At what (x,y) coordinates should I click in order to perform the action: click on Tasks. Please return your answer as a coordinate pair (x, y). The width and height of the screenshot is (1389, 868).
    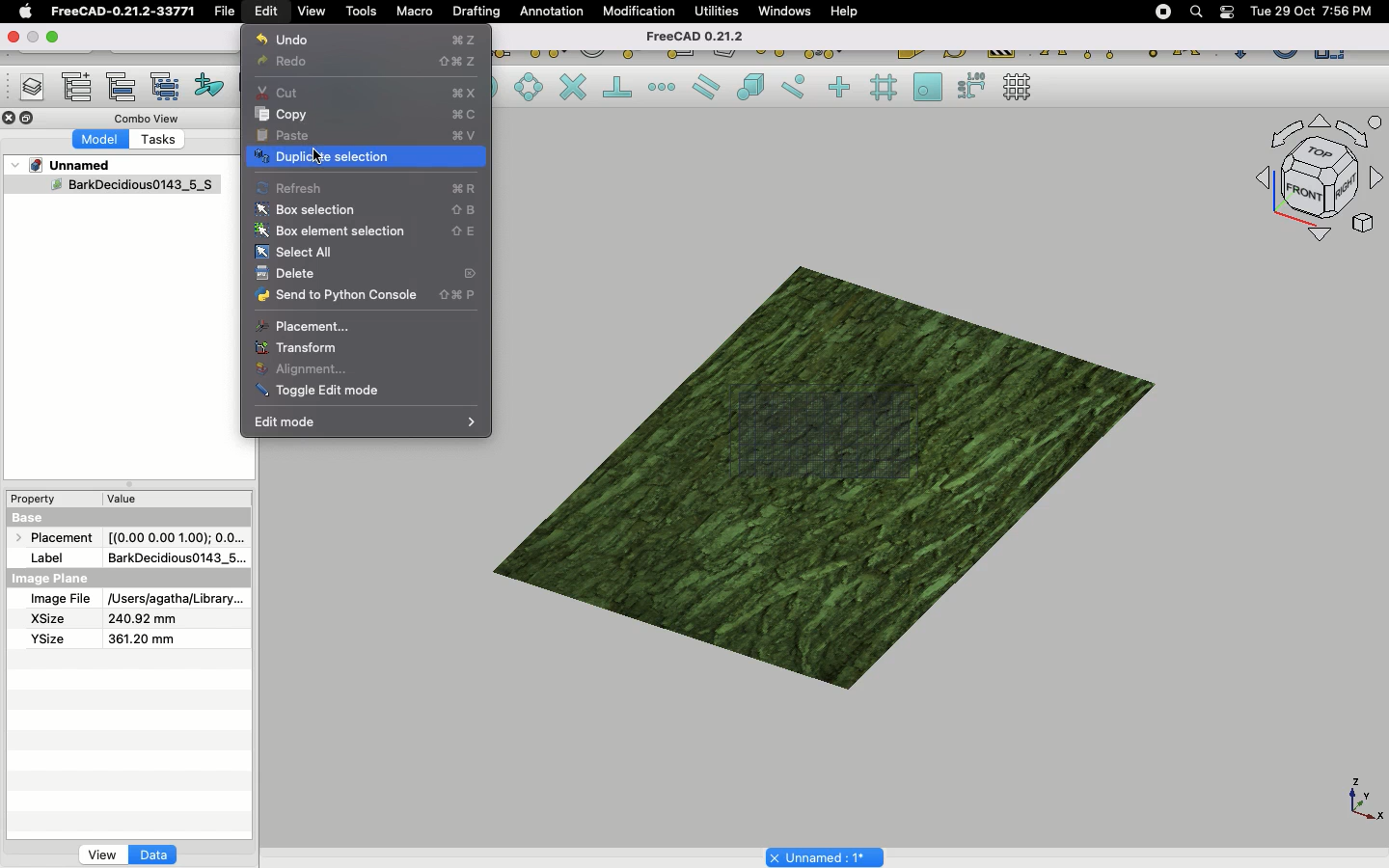
    Looking at the image, I should click on (160, 142).